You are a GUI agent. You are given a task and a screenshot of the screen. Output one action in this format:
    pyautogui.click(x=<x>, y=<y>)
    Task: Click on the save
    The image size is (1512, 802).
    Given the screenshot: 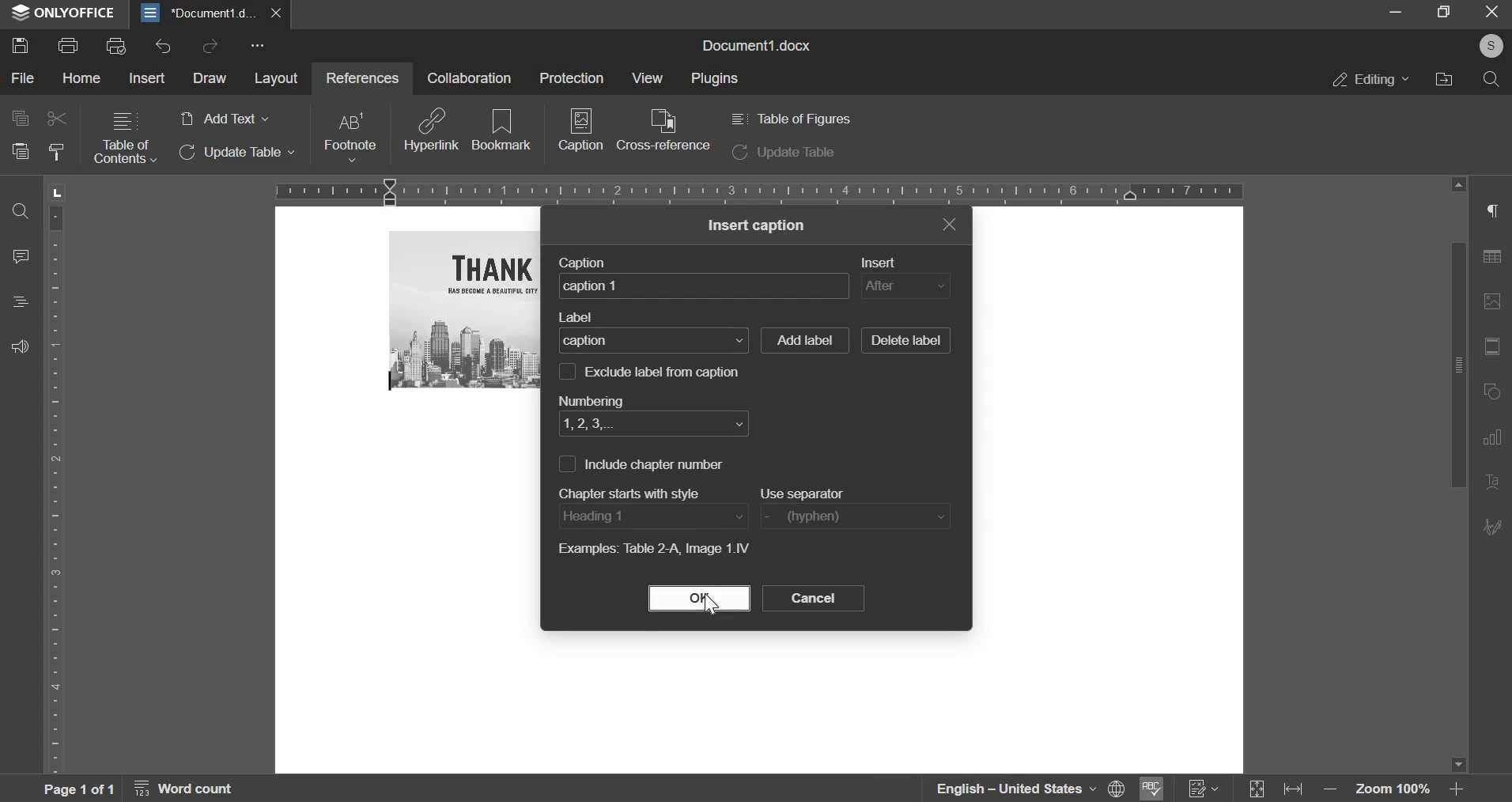 What is the action you would take?
    pyautogui.click(x=19, y=44)
    